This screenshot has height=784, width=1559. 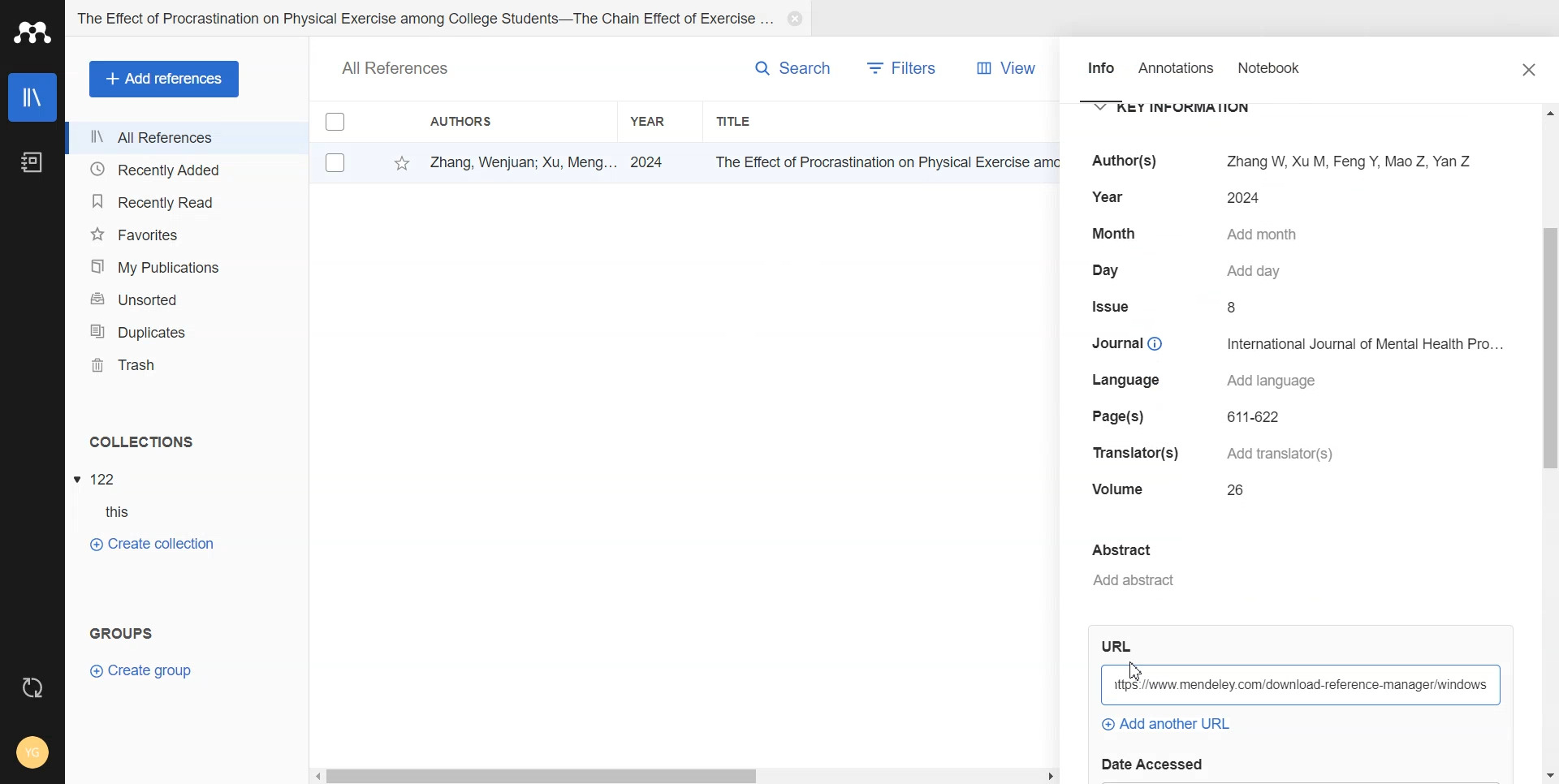 I want to click on https://www.mendeley.com/download-reference-manager/windows, so click(x=1302, y=684).